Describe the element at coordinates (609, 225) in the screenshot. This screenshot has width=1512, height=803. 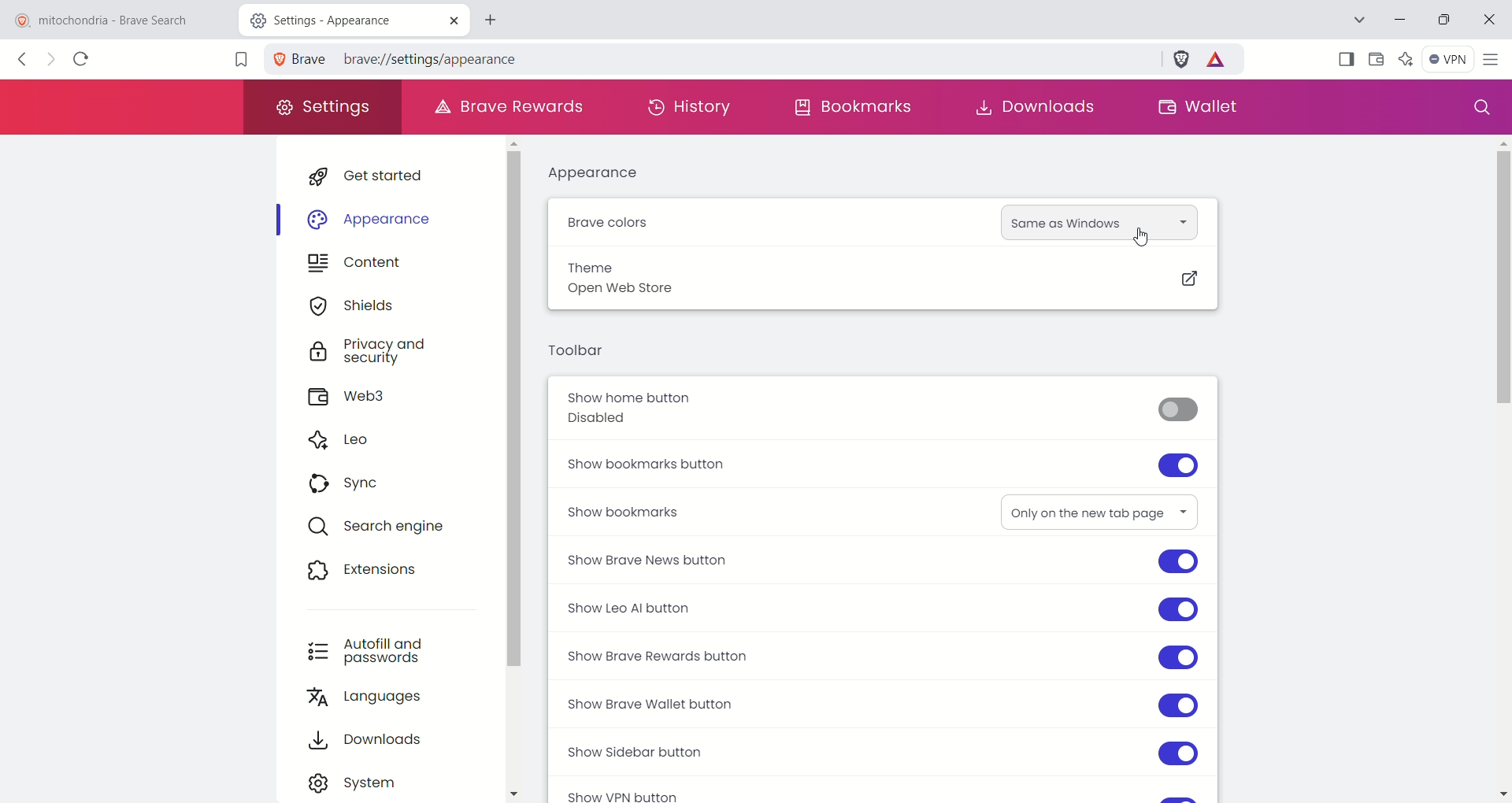
I see `brave colors` at that location.